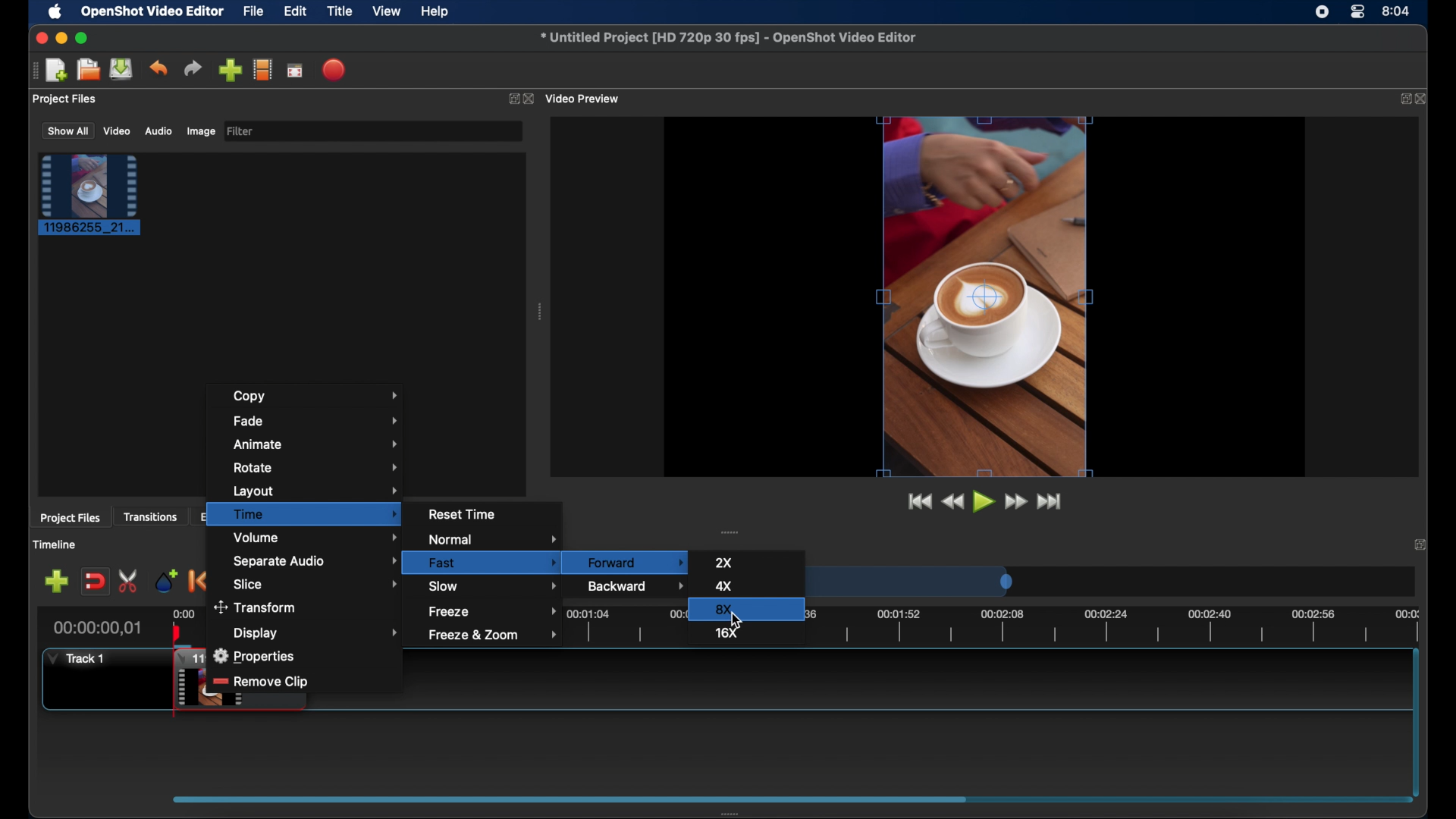  What do you see at coordinates (728, 36) in the screenshot?
I see `file name` at bounding box center [728, 36].